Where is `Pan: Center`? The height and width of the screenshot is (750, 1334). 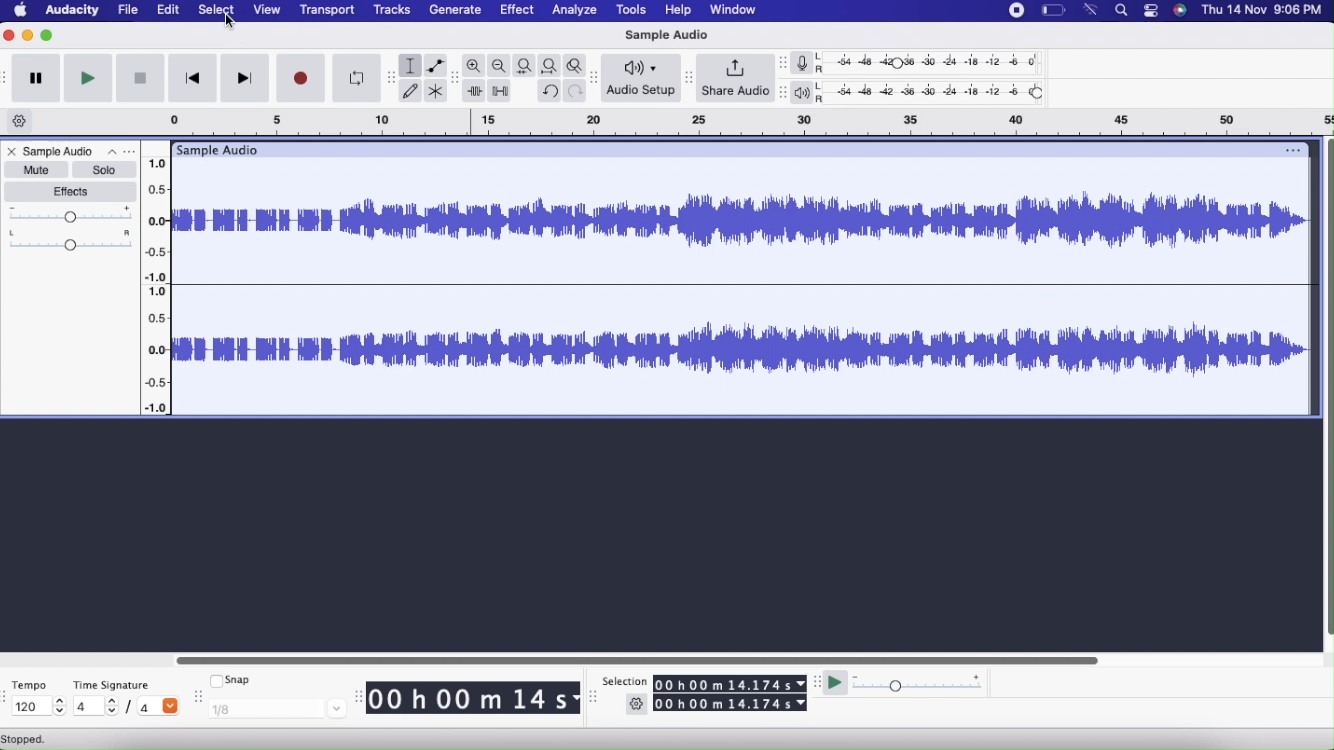 Pan: Center is located at coordinates (69, 242).